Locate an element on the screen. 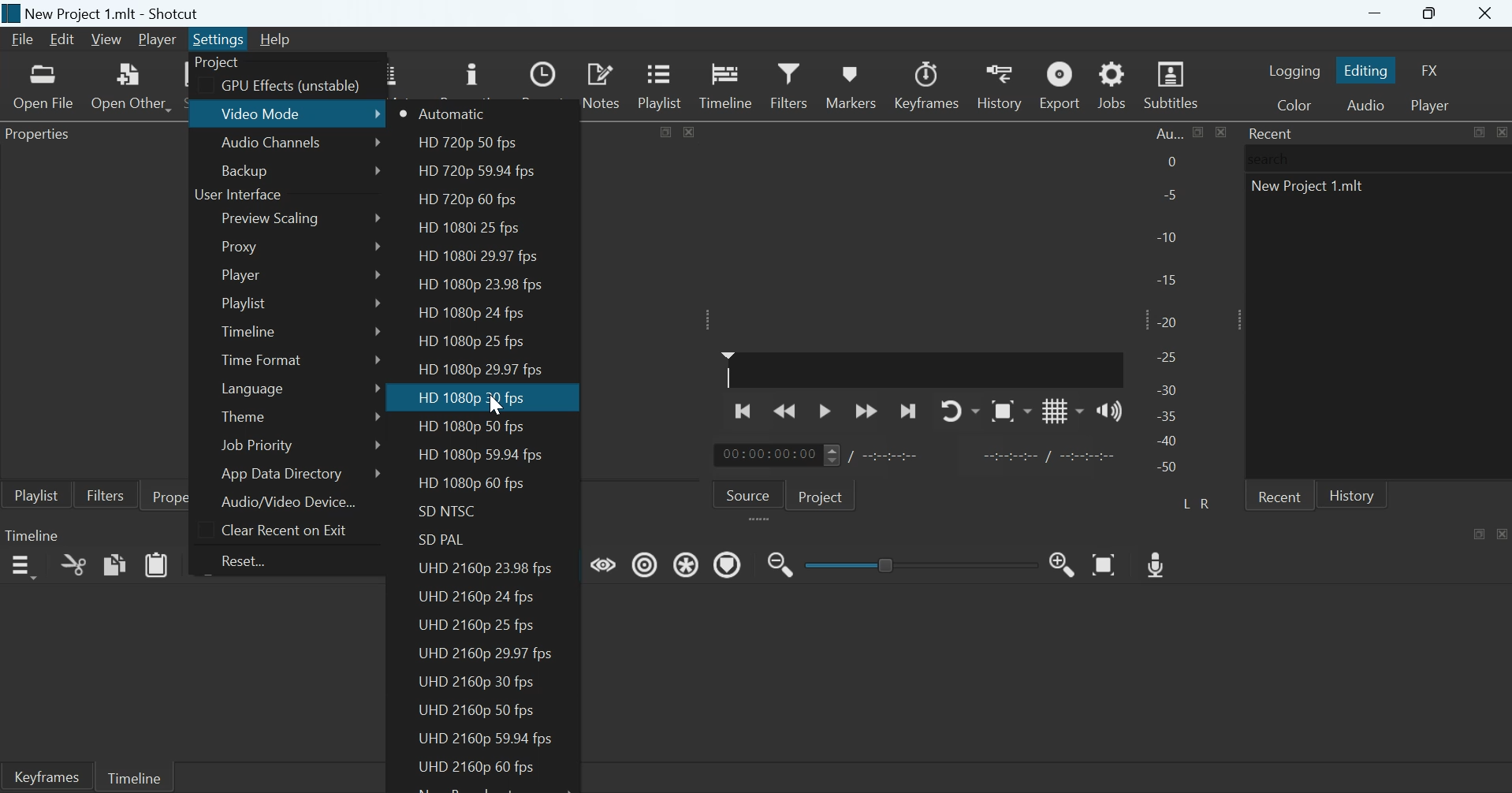 This screenshot has height=793, width=1512. UHD 2160p 24fps is located at coordinates (477, 594).